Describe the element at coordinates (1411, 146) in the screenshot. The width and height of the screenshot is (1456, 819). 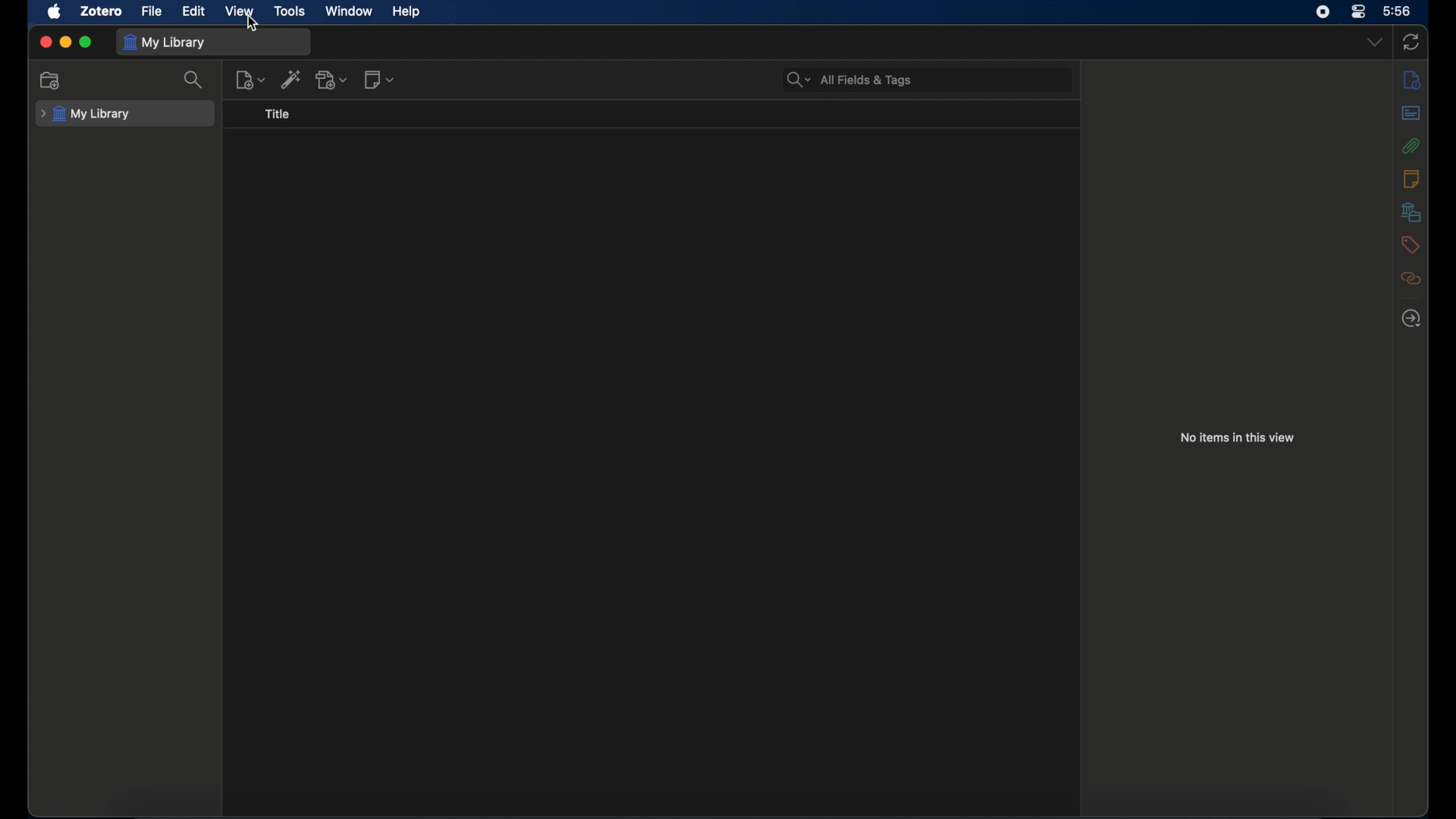
I see `attachments` at that location.